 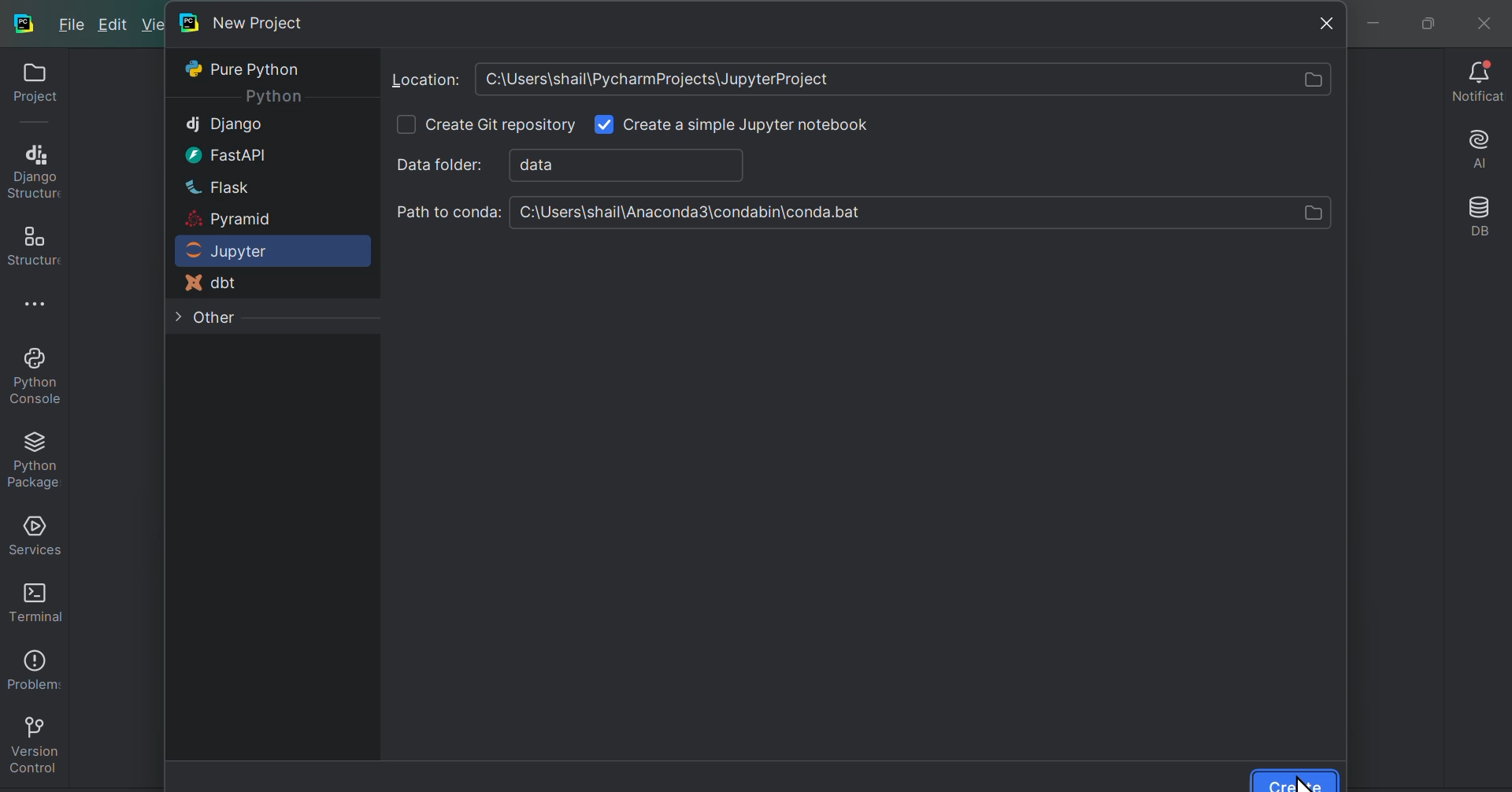 What do you see at coordinates (25, 21) in the screenshot?
I see `py charm` at bounding box center [25, 21].